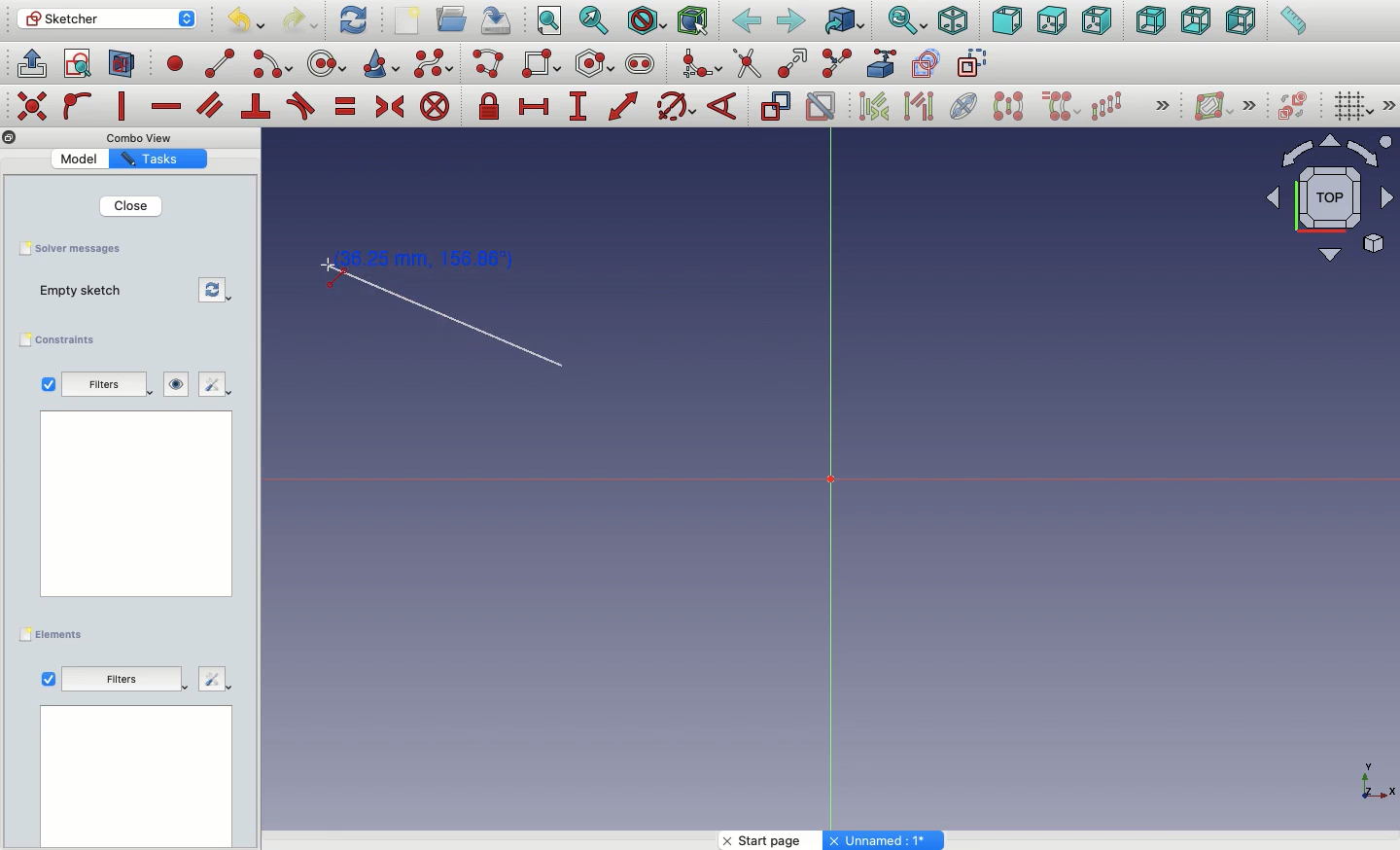  I want to click on Save, so click(81, 250).